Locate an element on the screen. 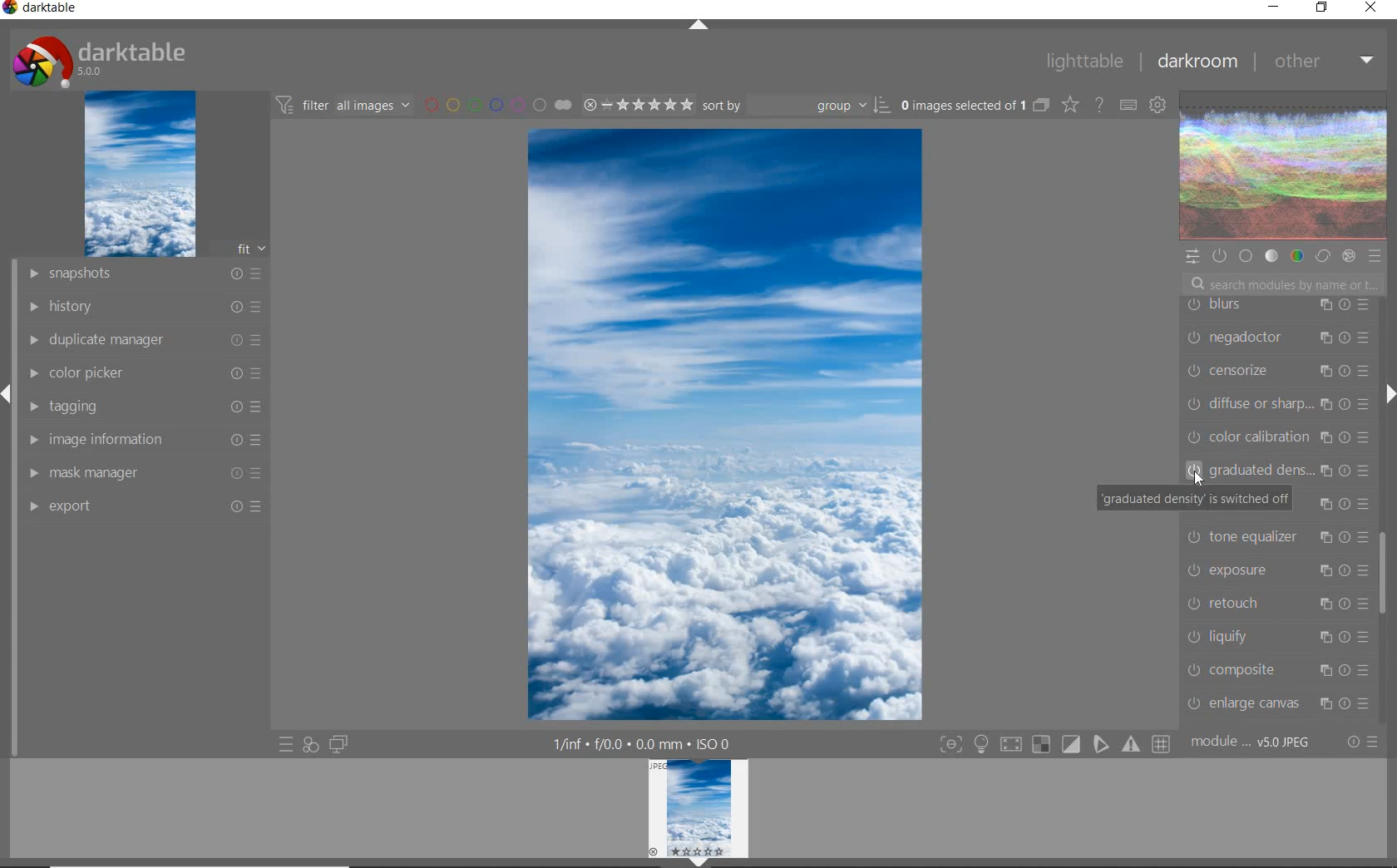 The image size is (1397, 868). IMAGE is located at coordinates (138, 175).